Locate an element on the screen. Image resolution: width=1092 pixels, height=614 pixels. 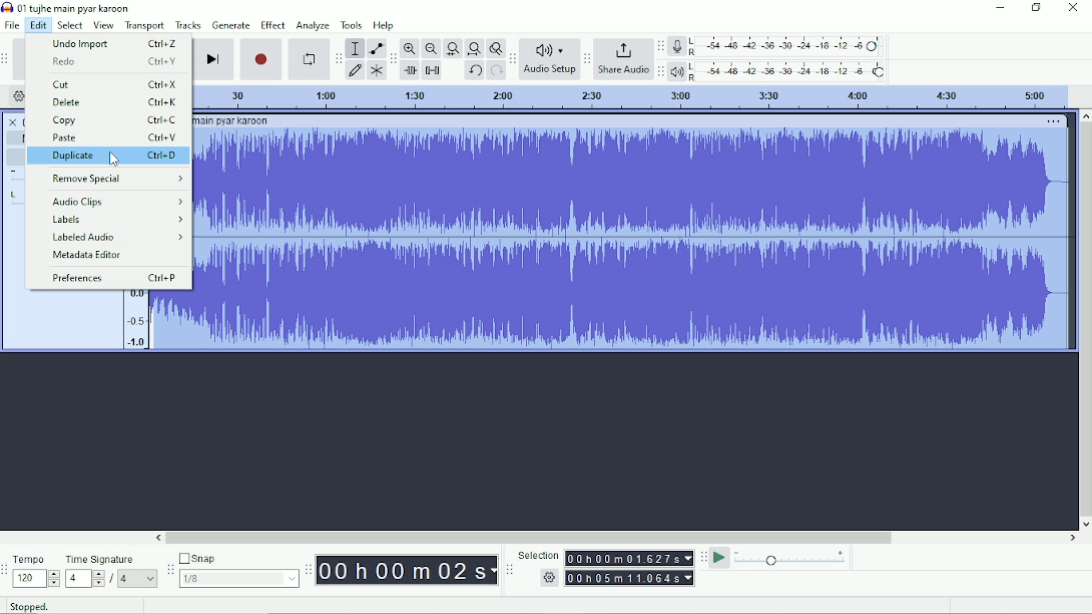
Duplicate is located at coordinates (115, 156).